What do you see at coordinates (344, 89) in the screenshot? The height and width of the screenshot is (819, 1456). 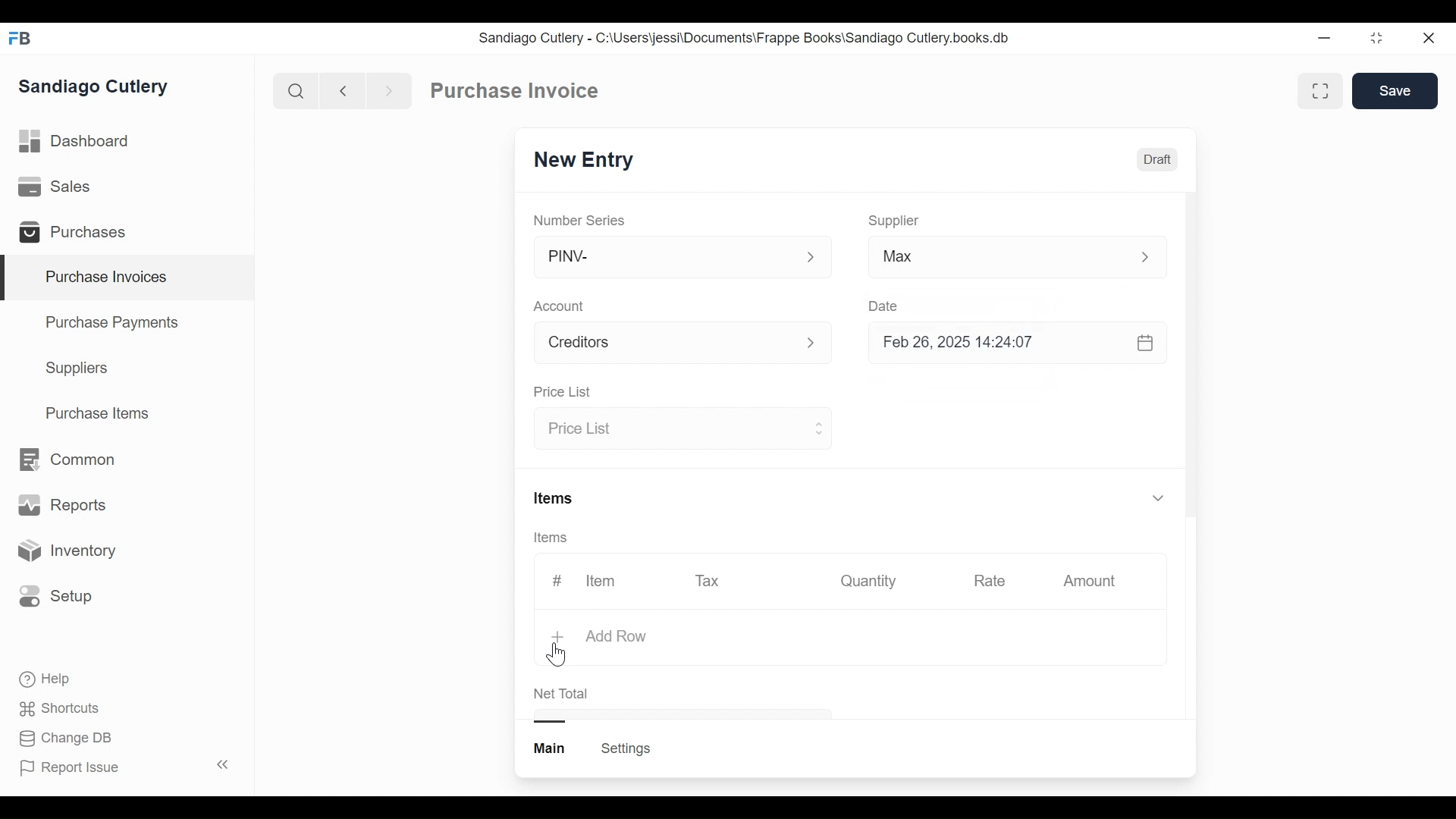 I see `Naviagate back` at bounding box center [344, 89].